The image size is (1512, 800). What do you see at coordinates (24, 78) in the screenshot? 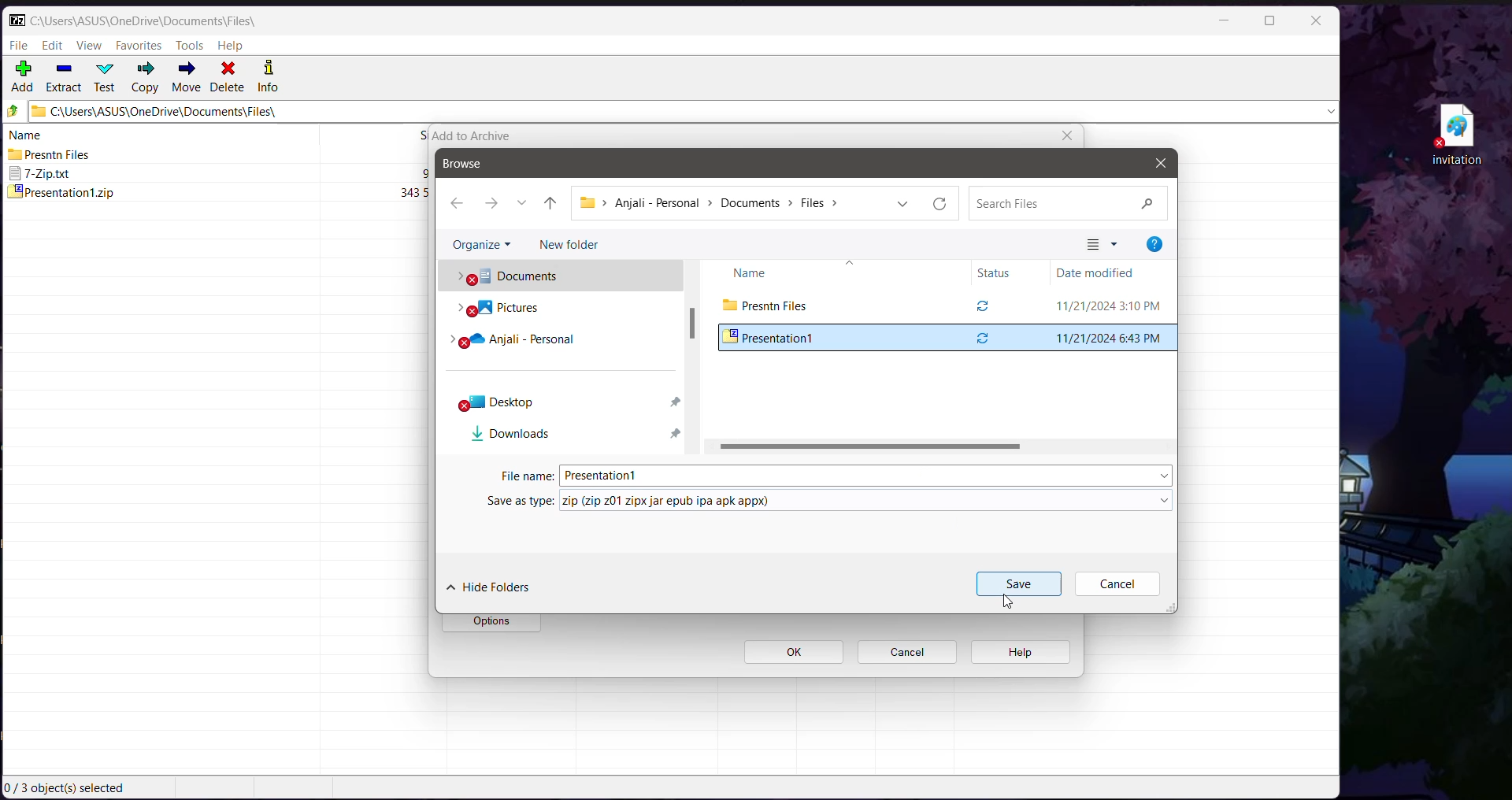
I see `Add` at bounding box center [24, 78].